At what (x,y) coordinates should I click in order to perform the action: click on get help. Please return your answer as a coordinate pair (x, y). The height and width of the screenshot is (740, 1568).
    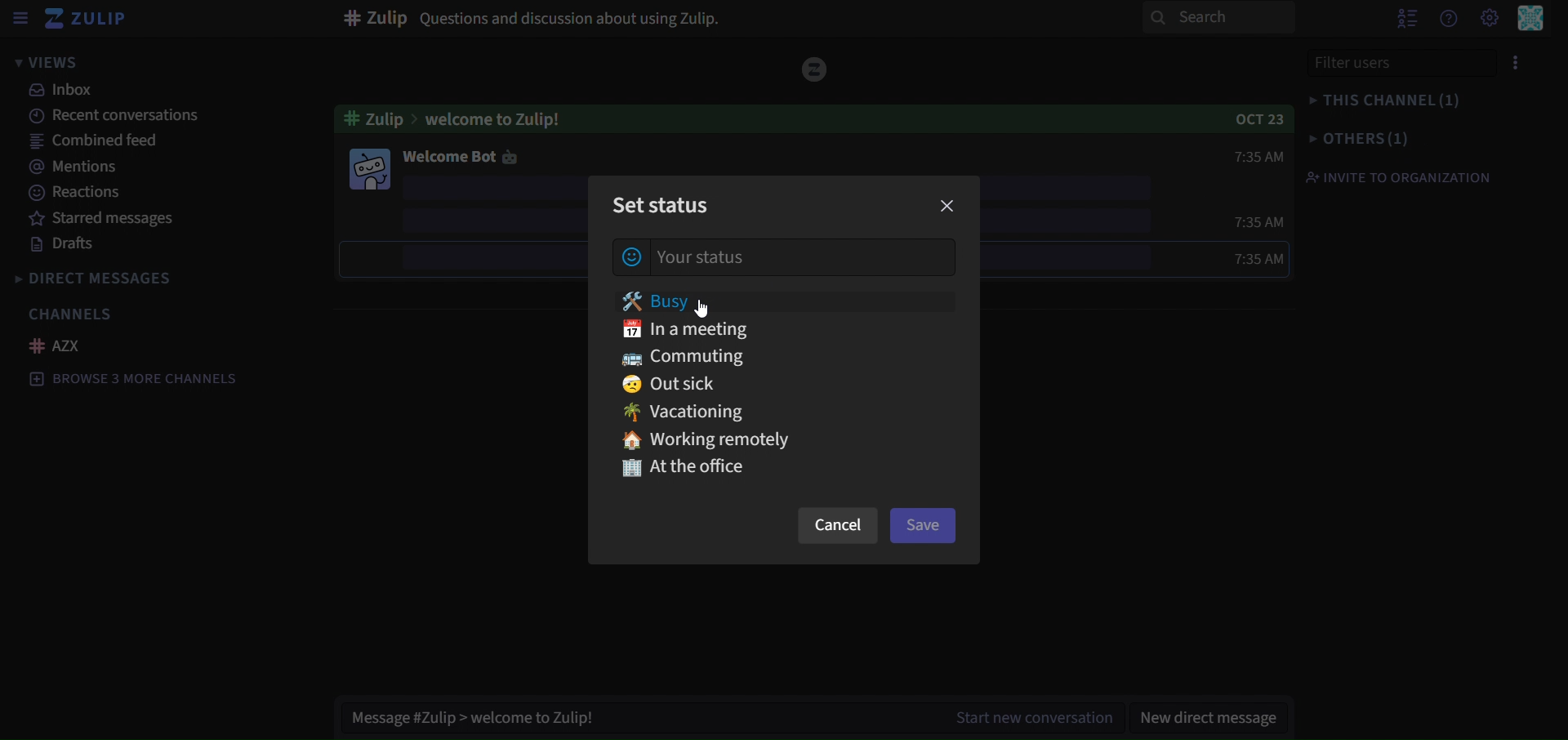
    Looking at the image, I should click on (1450, 19).